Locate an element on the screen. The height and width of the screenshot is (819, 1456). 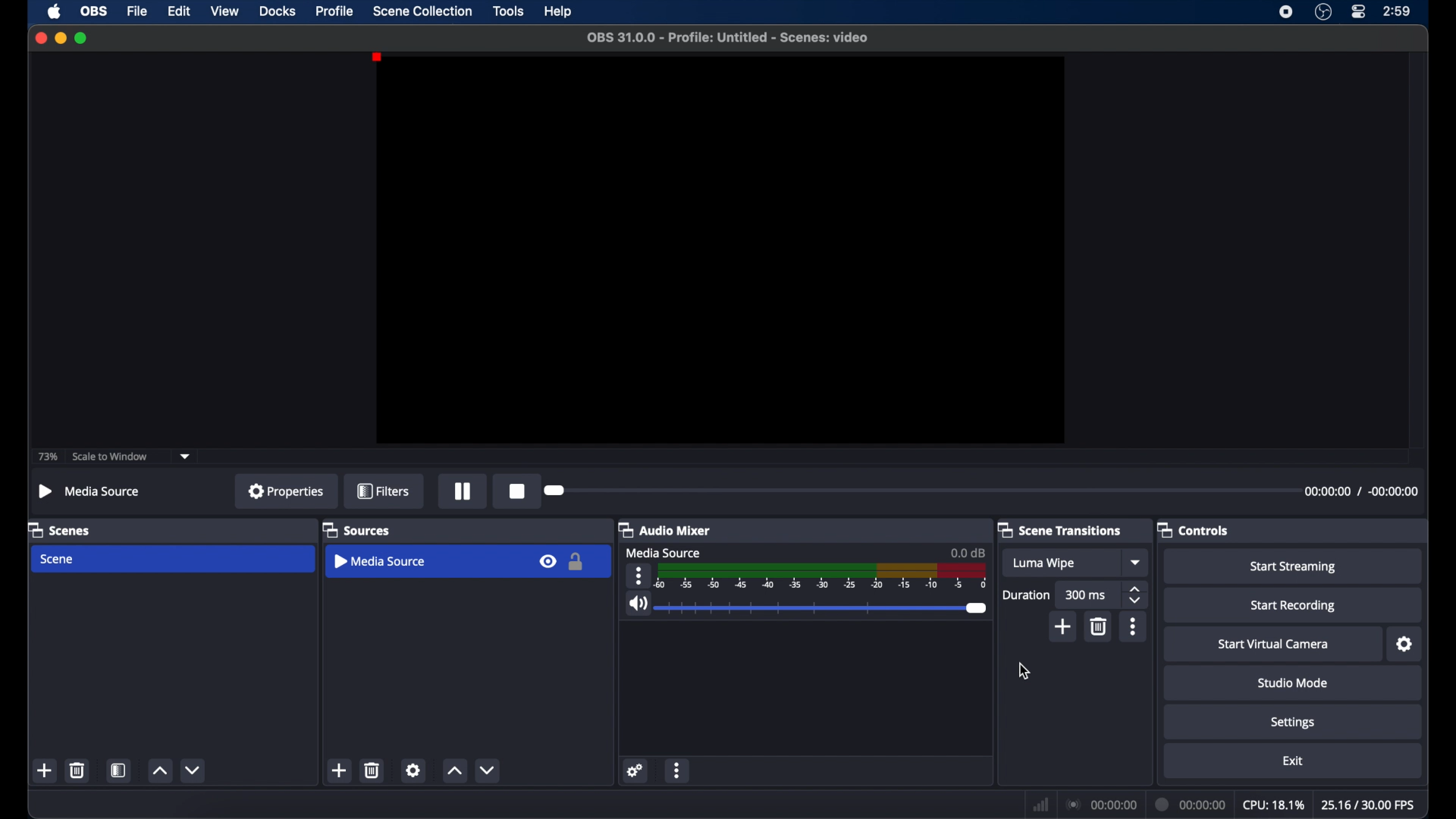
more options is located at coordinates (639, 576).